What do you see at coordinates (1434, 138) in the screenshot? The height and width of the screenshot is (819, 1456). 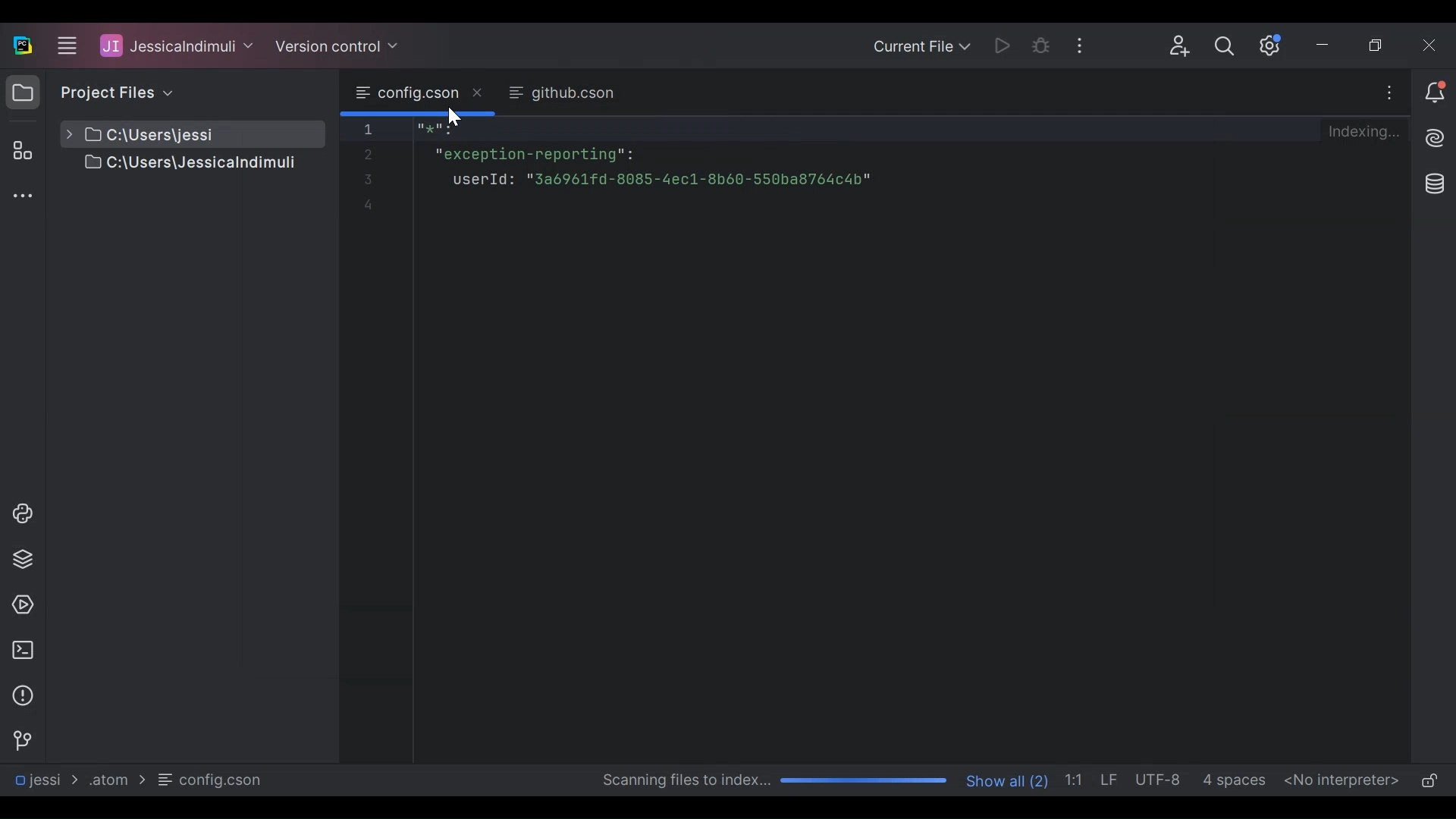 I see `AI Assistant` at bounding box center [1434, 138].